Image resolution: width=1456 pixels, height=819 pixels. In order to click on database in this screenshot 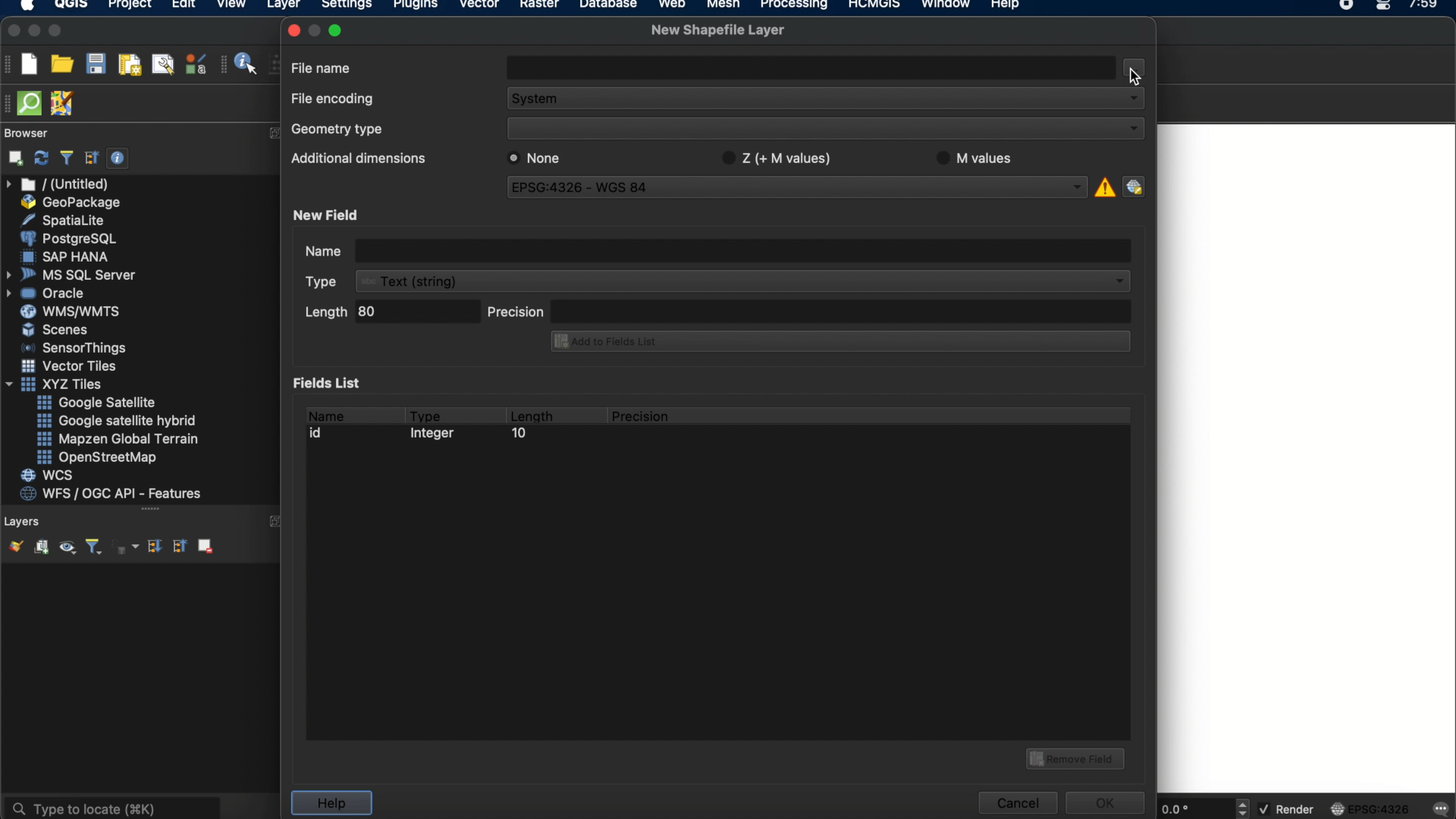, I will do `click(607, 6)`.